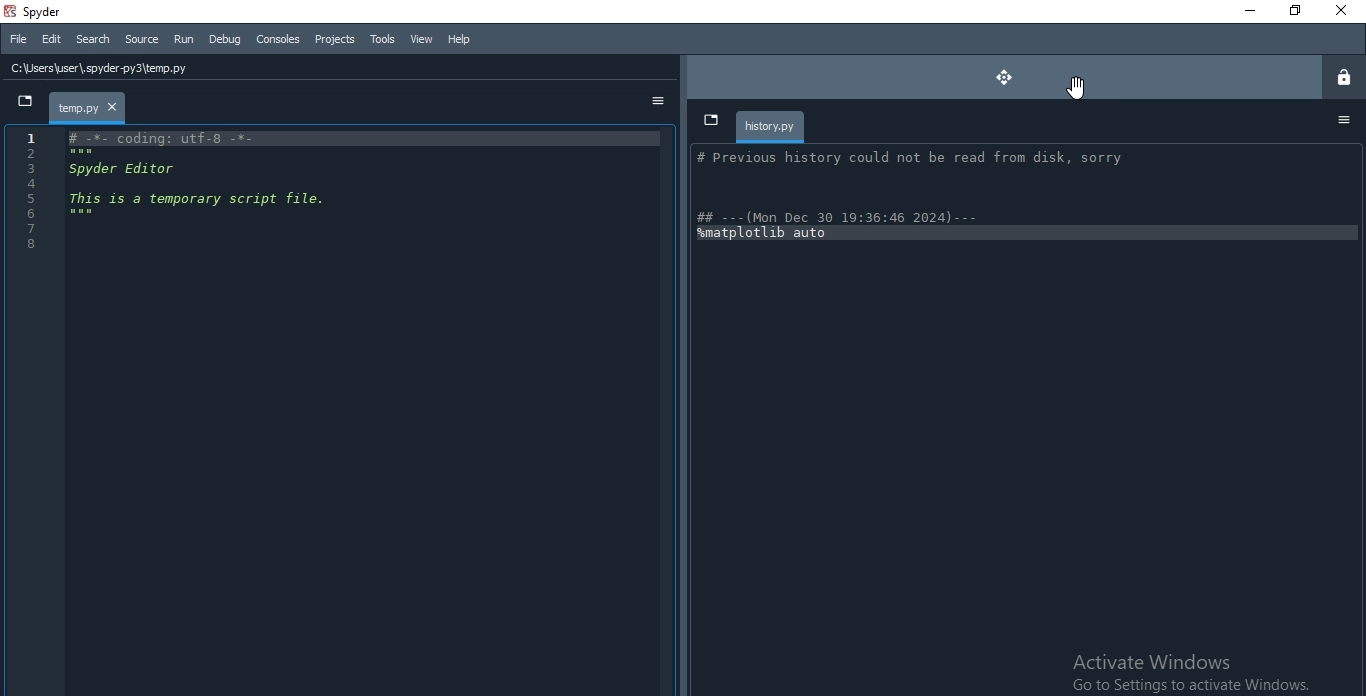 This screenshot has width=1366, height=696. I want to click on options, so click(656, 101).